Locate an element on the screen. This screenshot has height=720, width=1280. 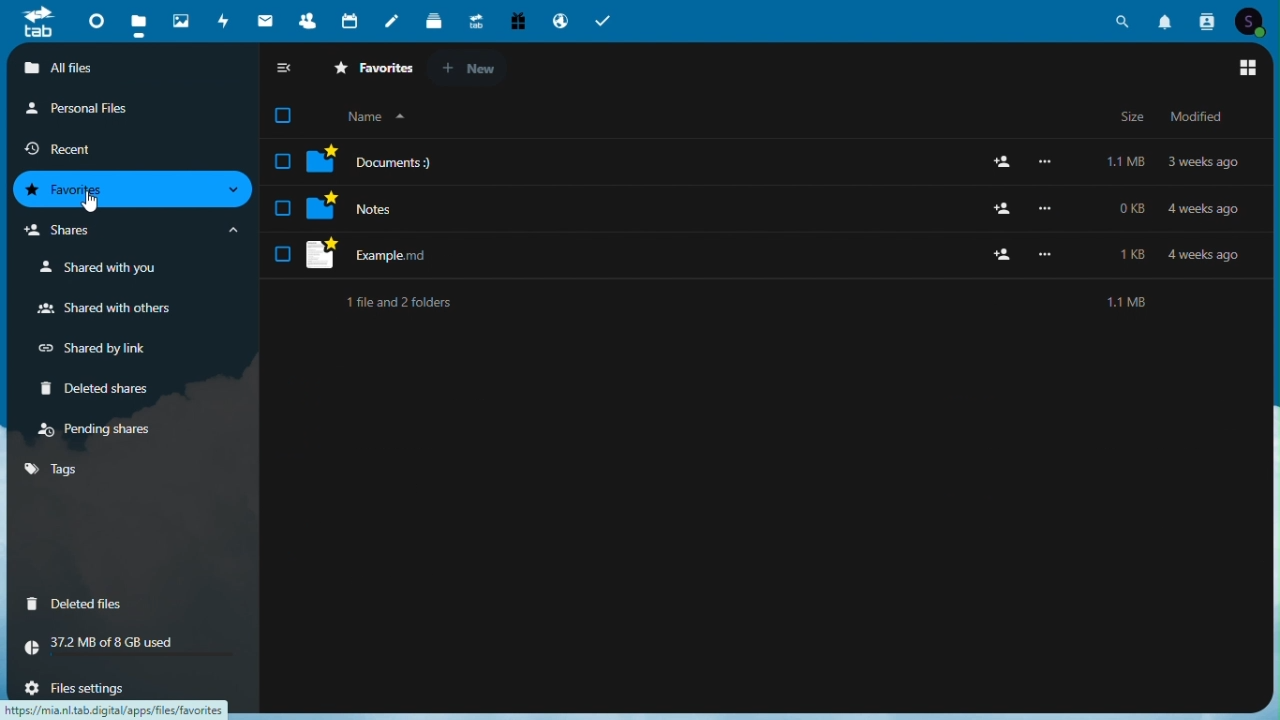
files is located at coordinates (139, 19).